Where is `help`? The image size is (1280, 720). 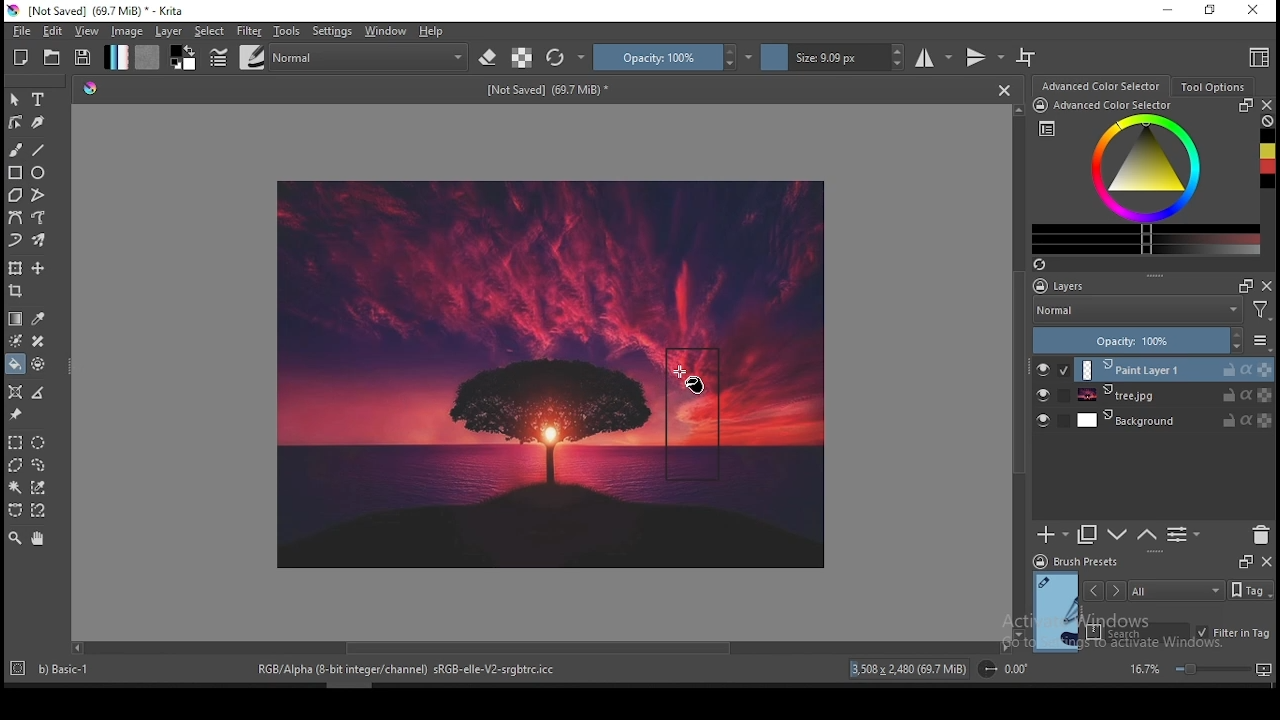
help is located at coordinates (432, 32).